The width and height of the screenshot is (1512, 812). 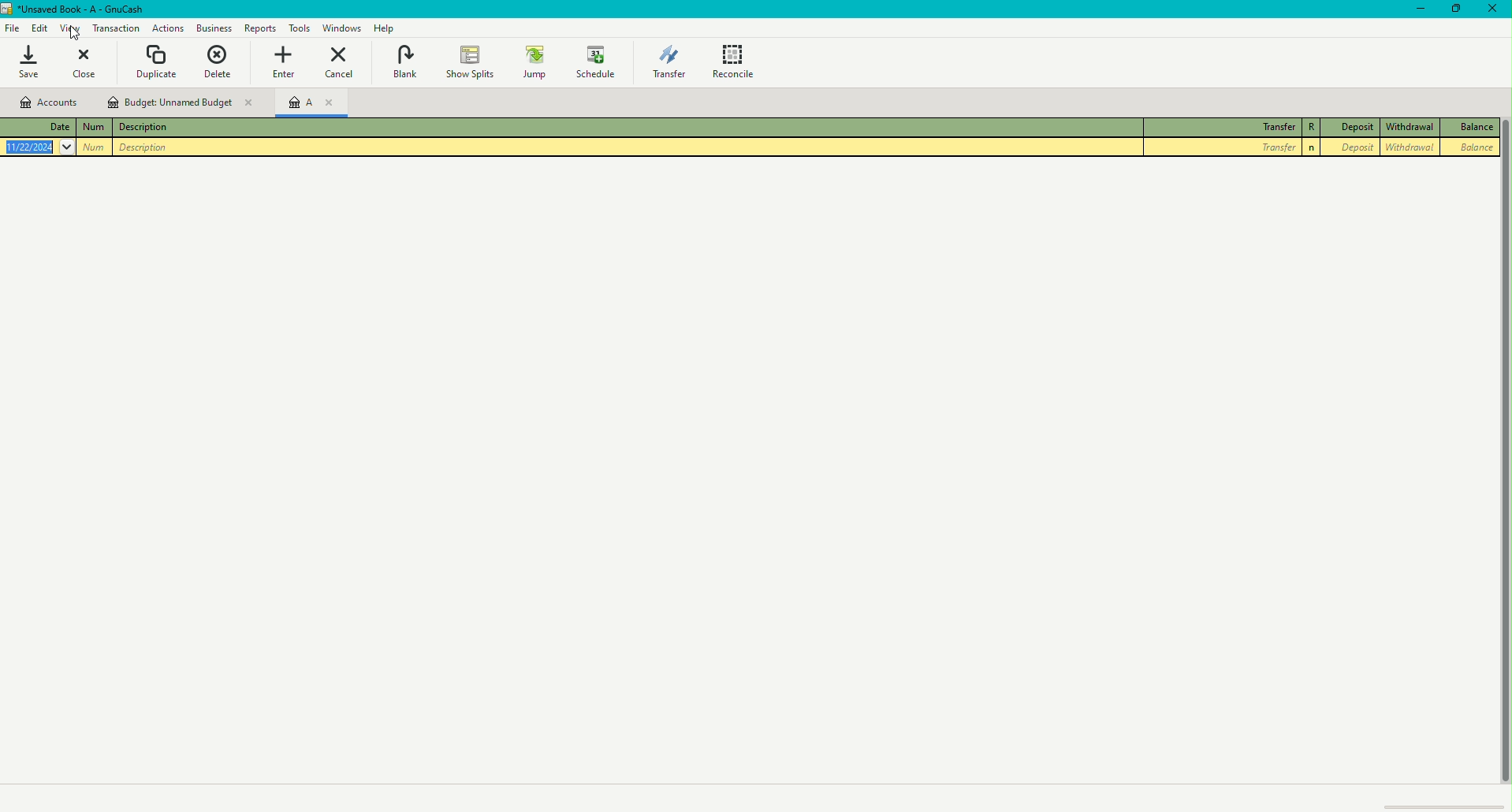 I want to click on Transaction, so click(x=115, y=29).